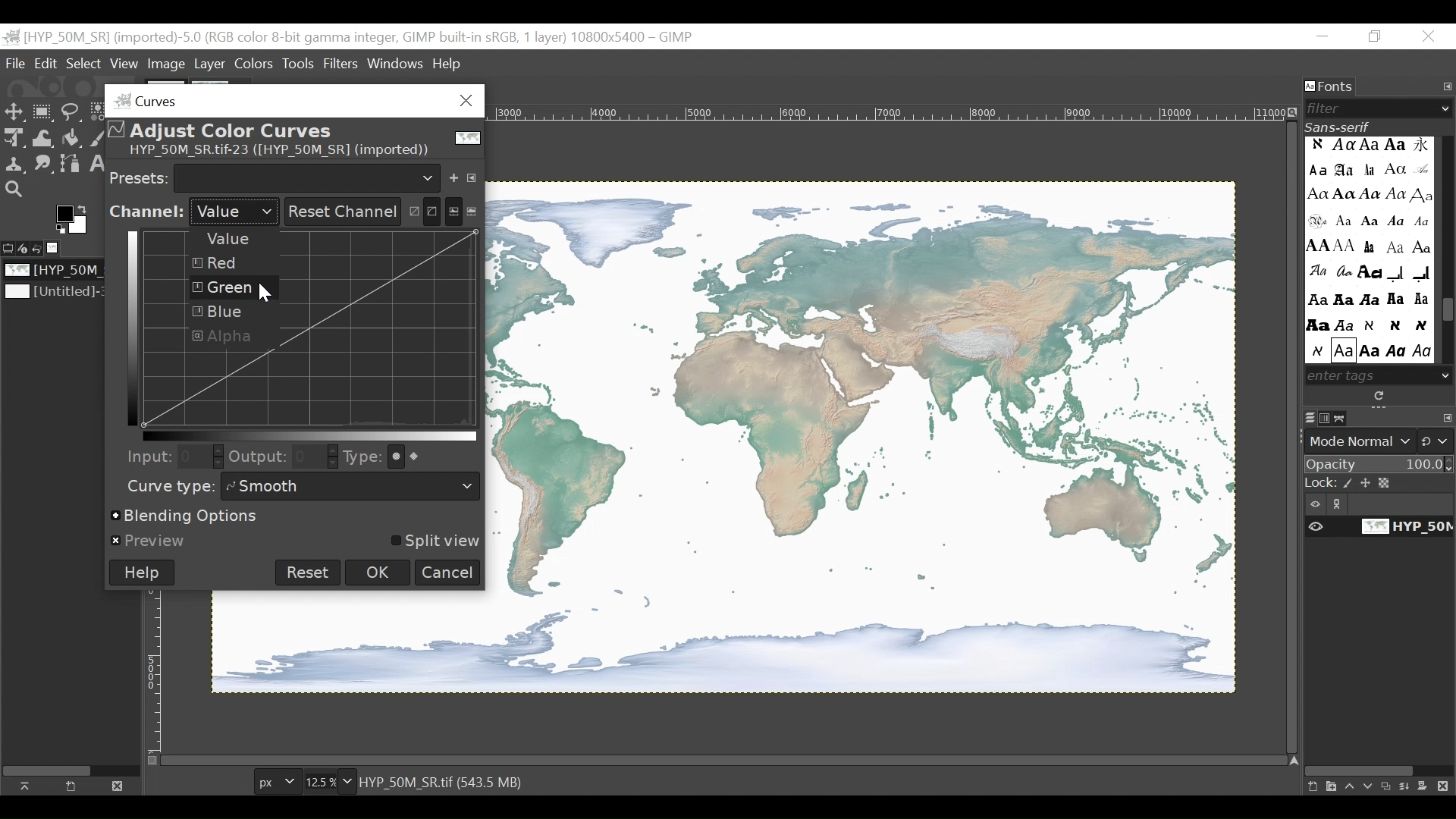  What do you see at coordinates (457, 175) in the screenshot?
I see `Save the current setting as named preset` at bounding box center [457, 175].